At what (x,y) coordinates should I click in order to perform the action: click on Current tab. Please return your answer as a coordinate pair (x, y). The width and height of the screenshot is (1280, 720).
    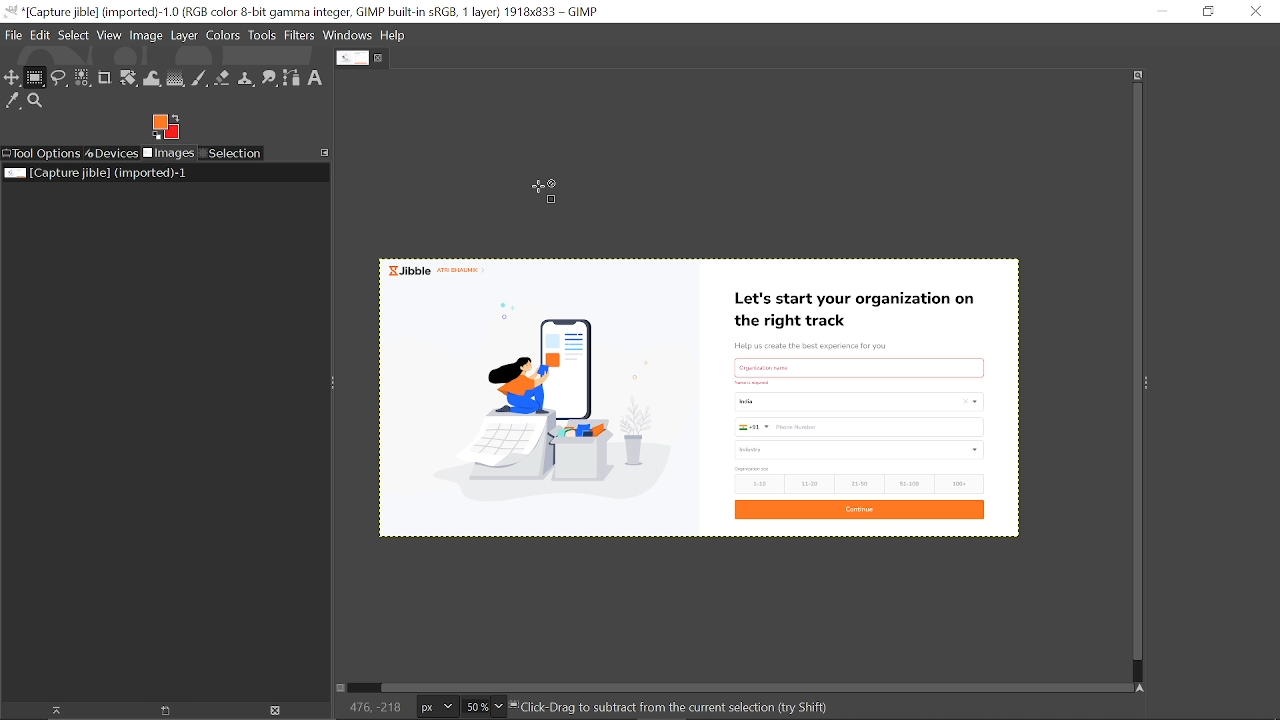
    Looking at the image, I should click on (351, 59).